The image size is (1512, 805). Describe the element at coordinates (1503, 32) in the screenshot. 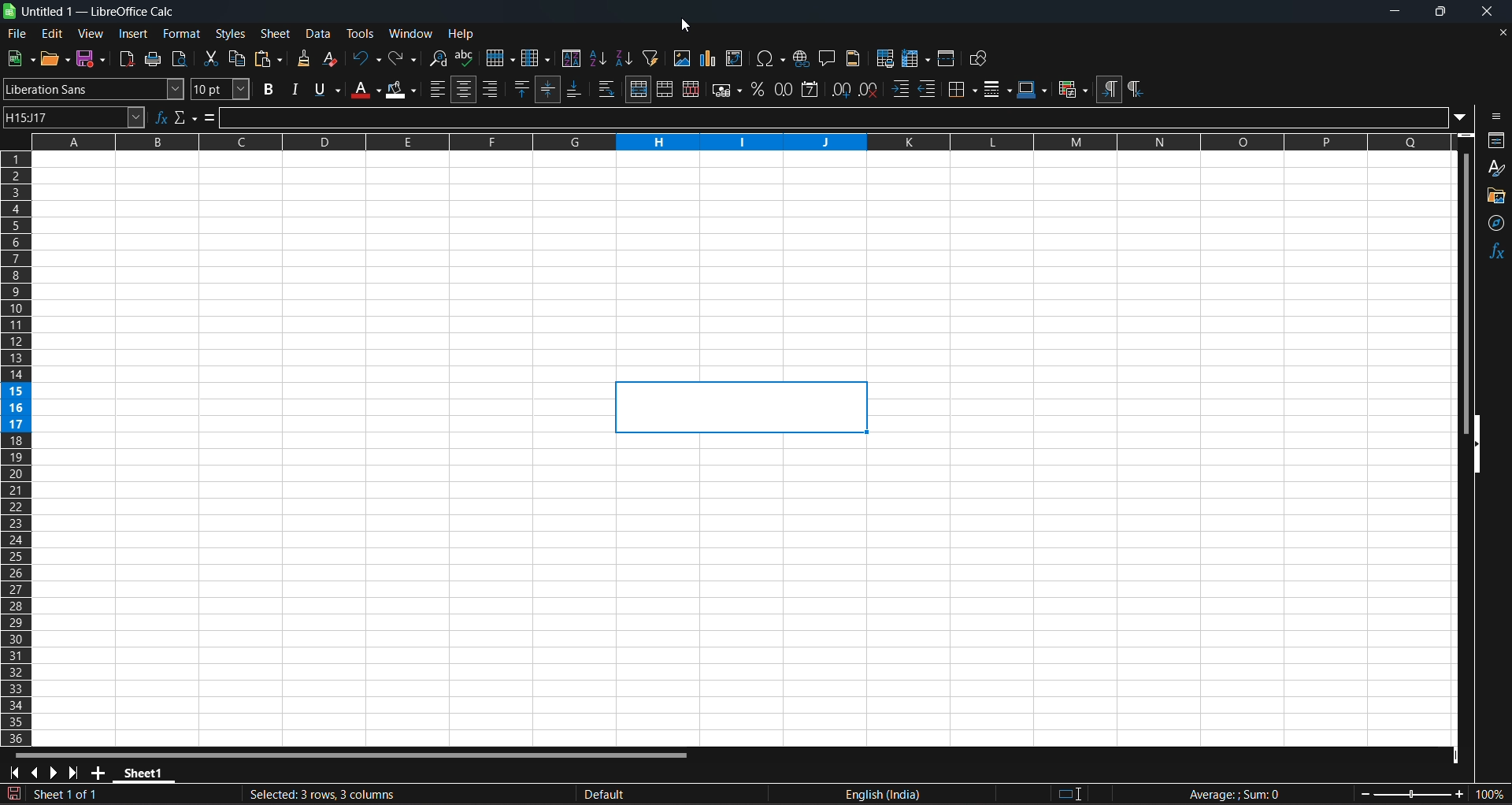

I see `close document` at that location.